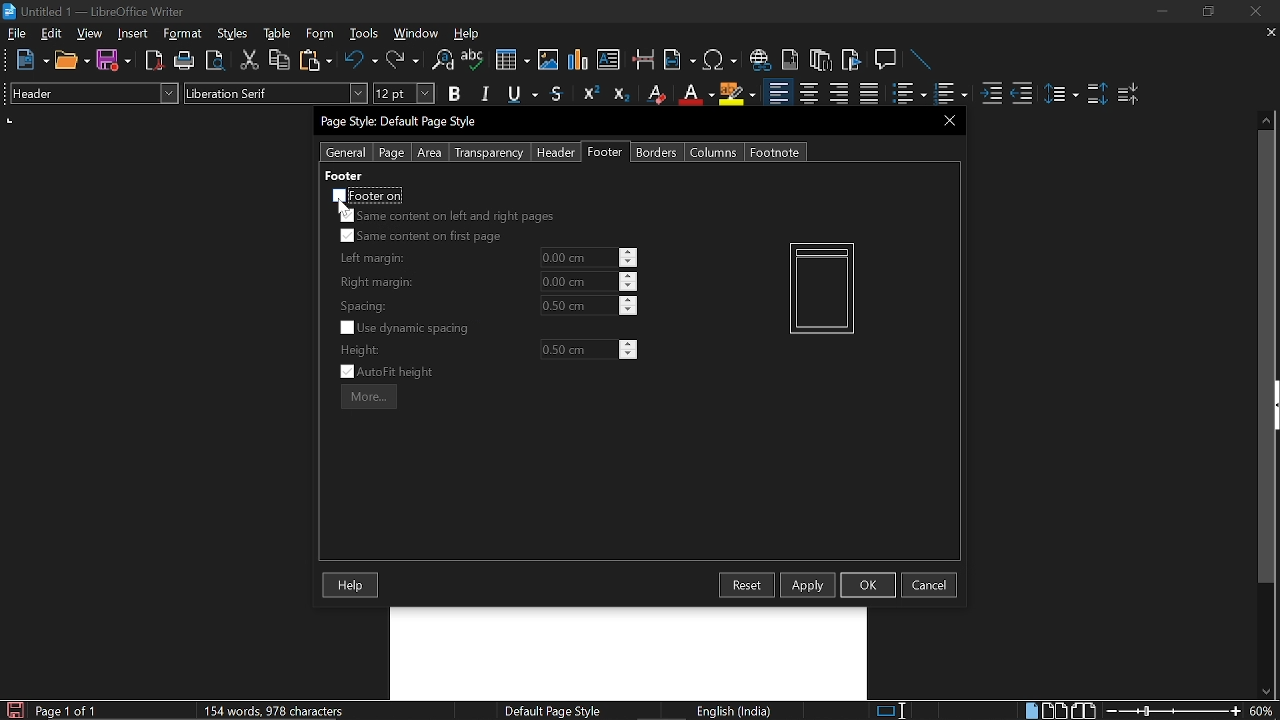 The height and width of the screenshot is (720, 1280). I want to click on Cursor, so click(346, 208).